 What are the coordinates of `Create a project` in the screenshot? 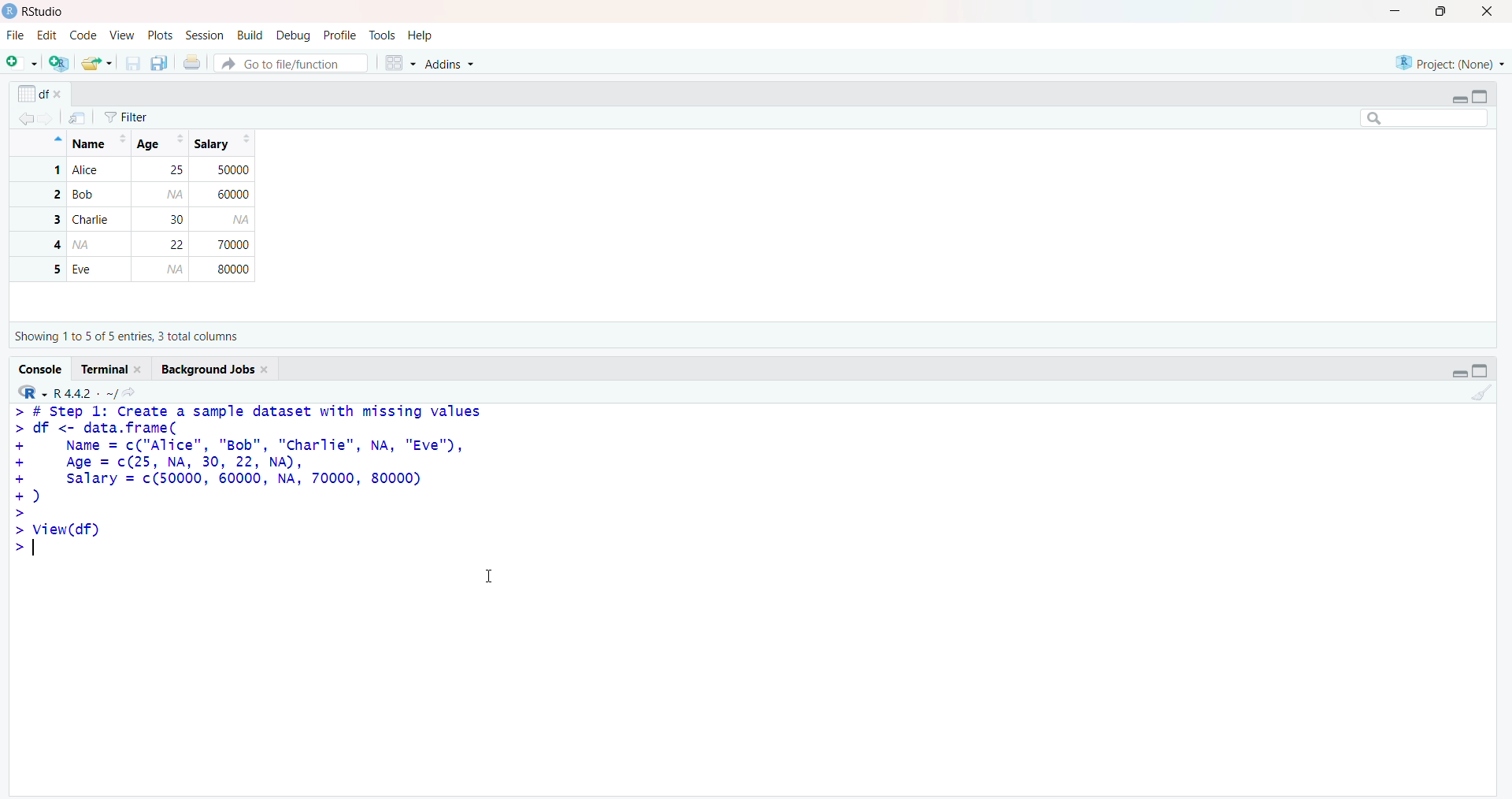 It's located at (57, 63).